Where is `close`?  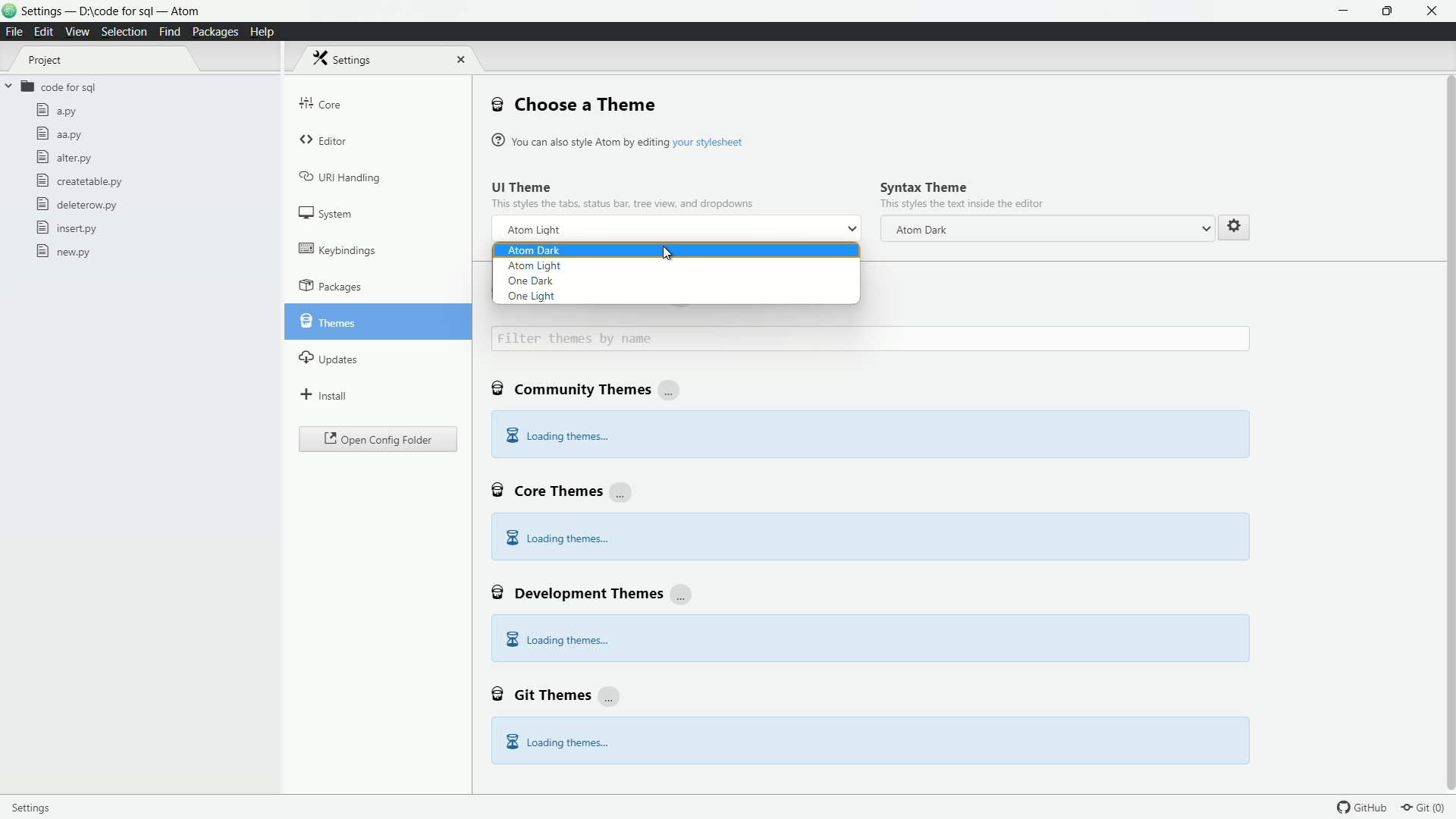
close is located at coordinates (458, 59).